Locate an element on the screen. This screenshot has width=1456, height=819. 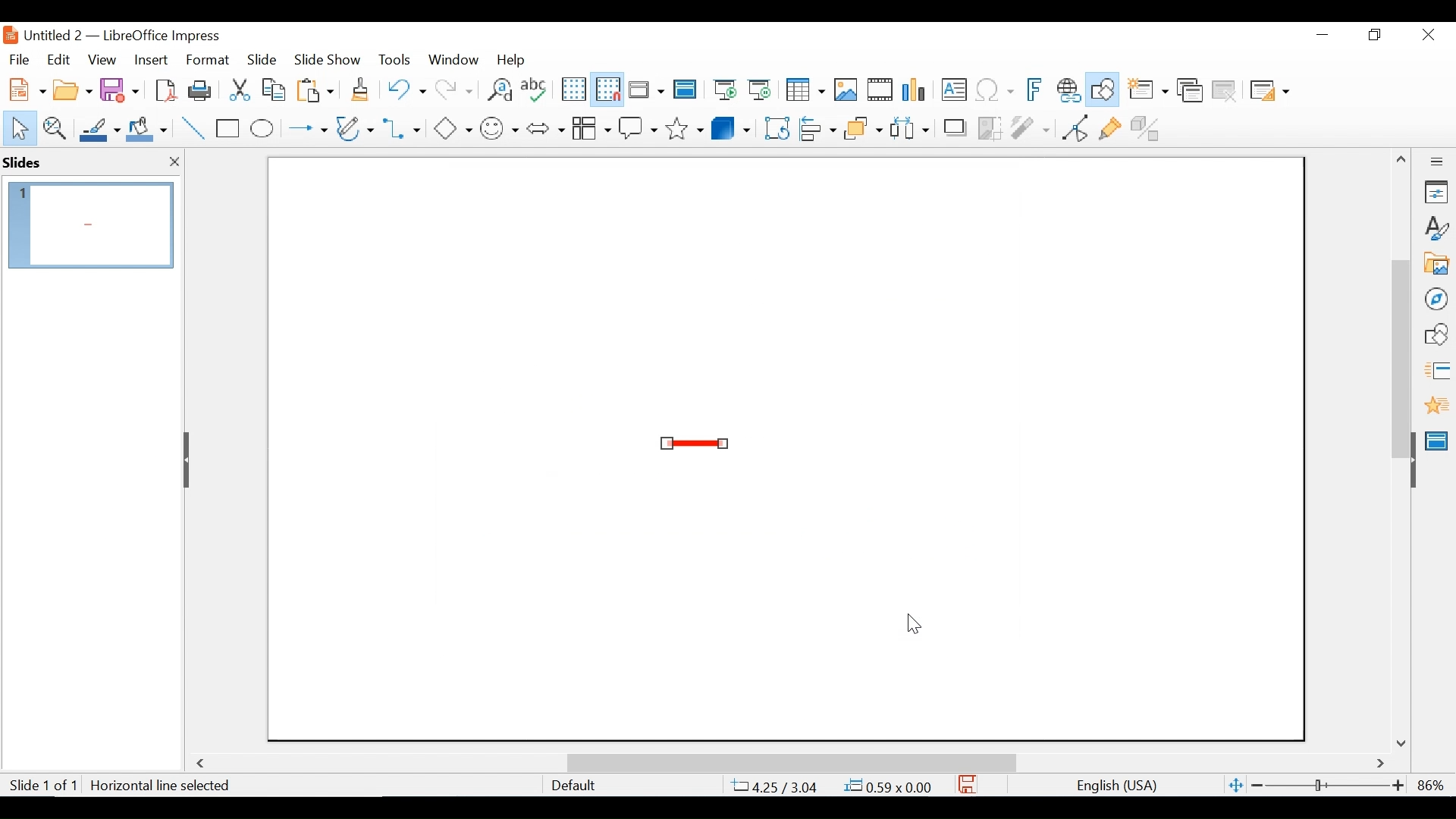
Insert Line is located at coordinates (194, 129).